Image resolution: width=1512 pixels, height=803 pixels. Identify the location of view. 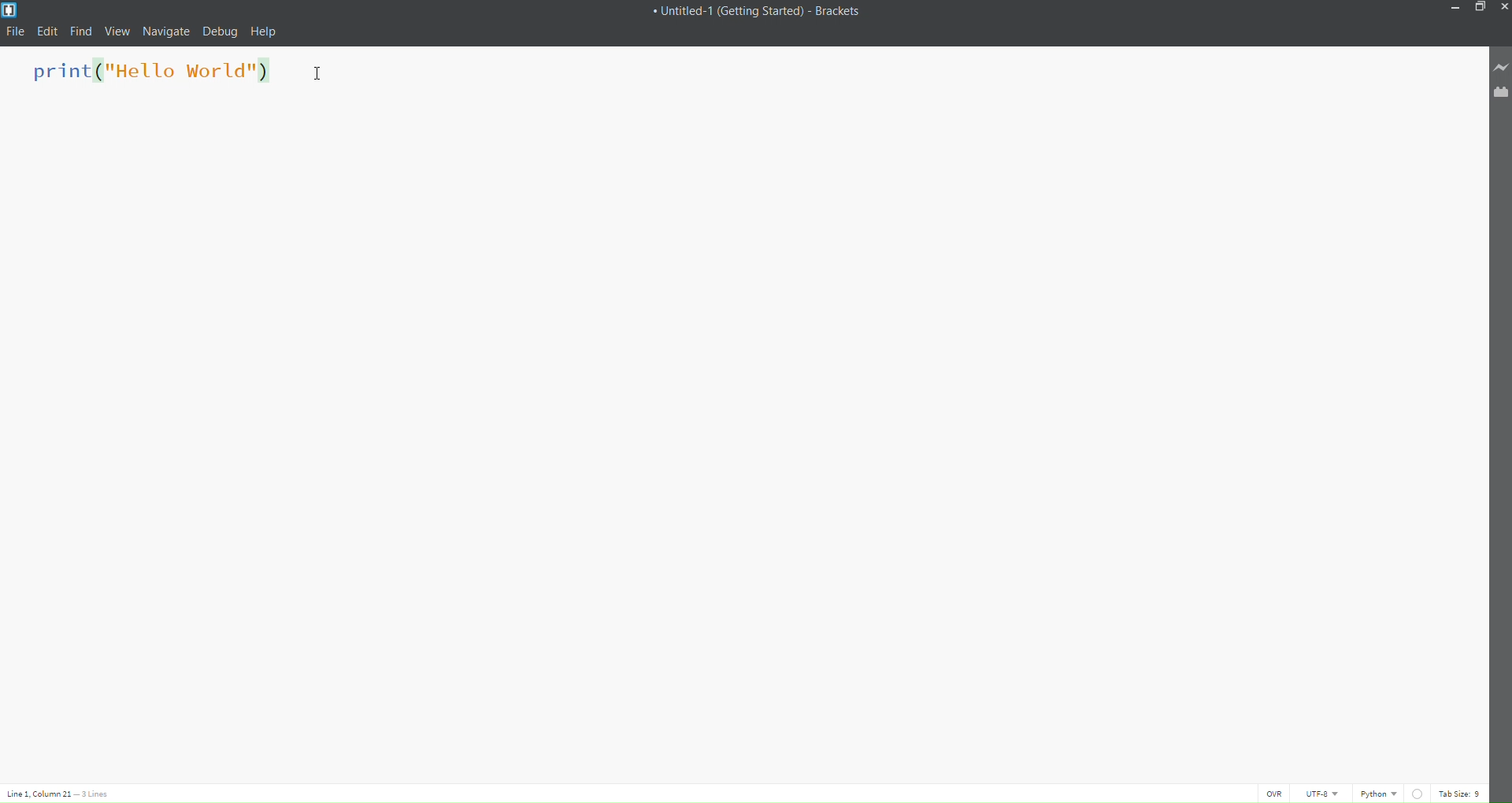
(115, 31).